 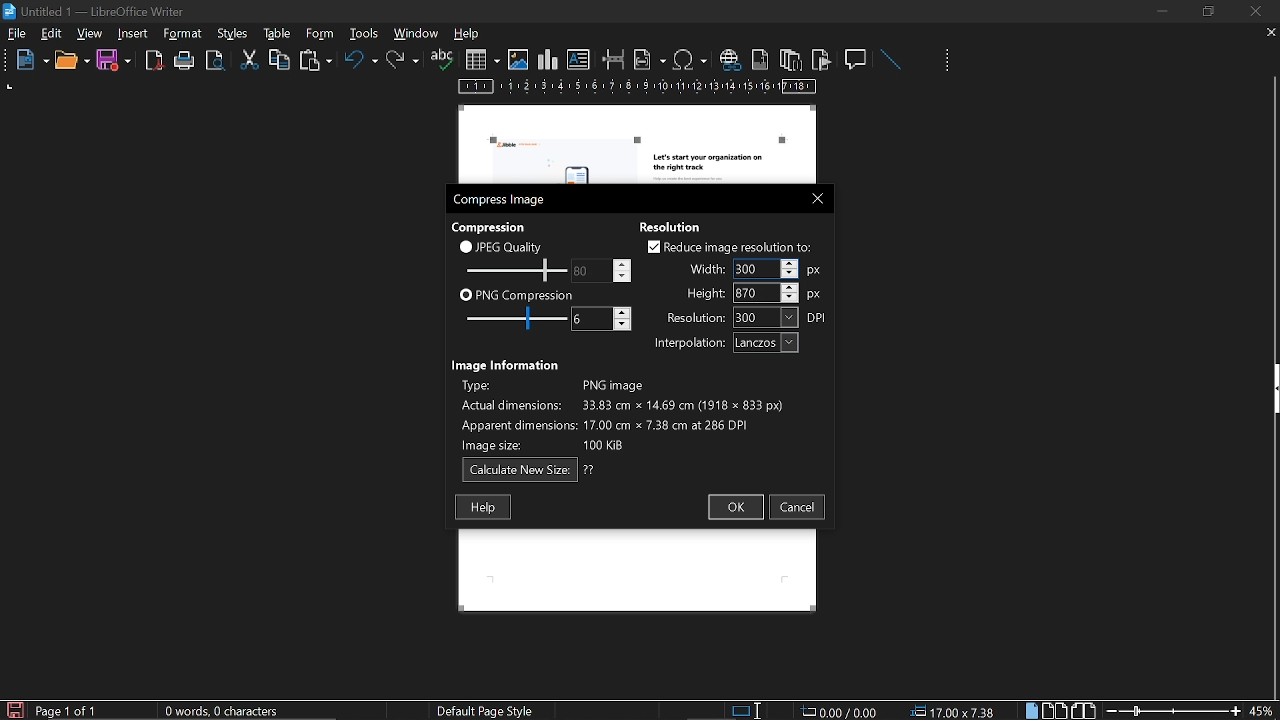 I want to click on edit, so click(x=52, y=35).